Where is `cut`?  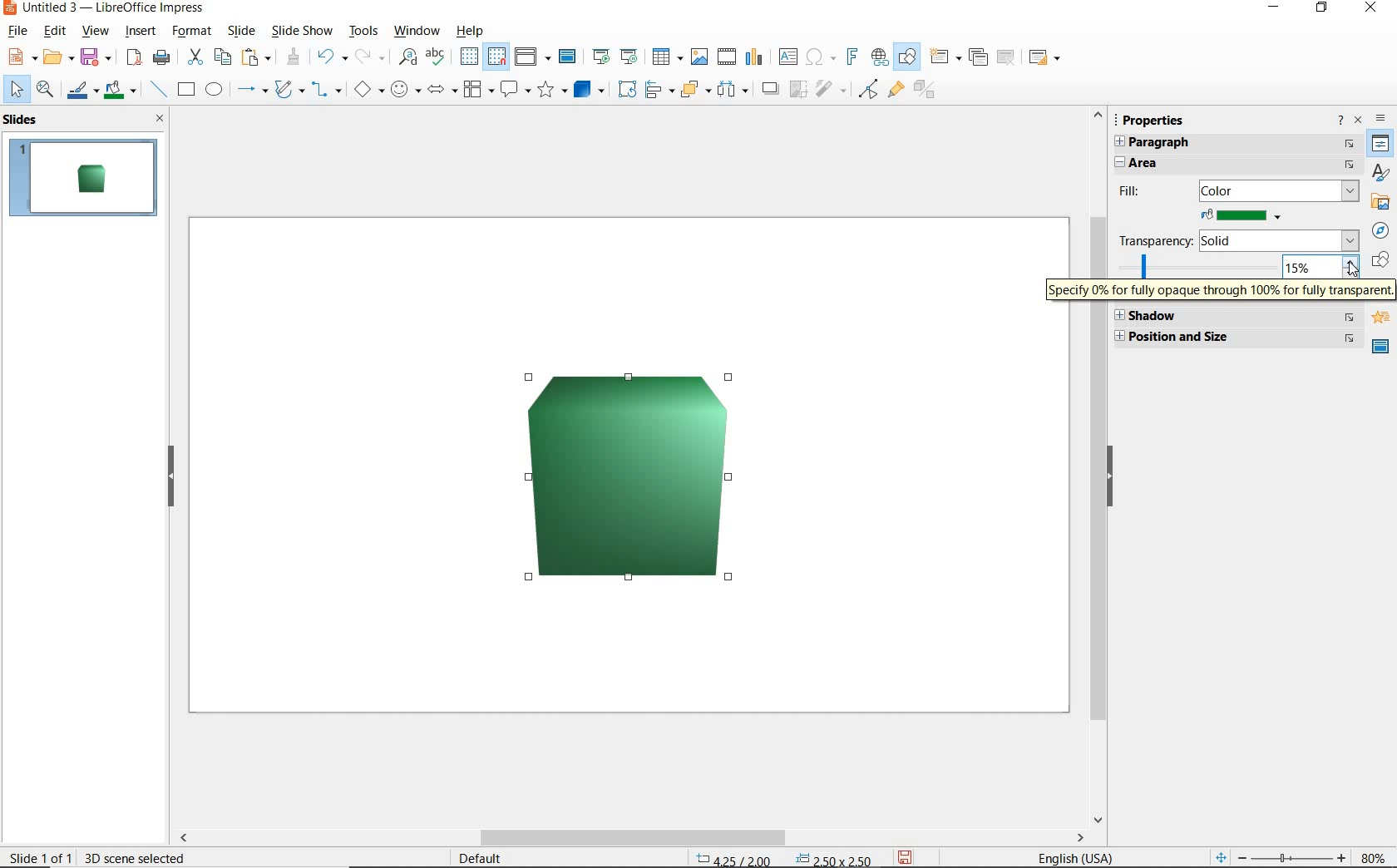 cut is located at coordinates (196, 57).